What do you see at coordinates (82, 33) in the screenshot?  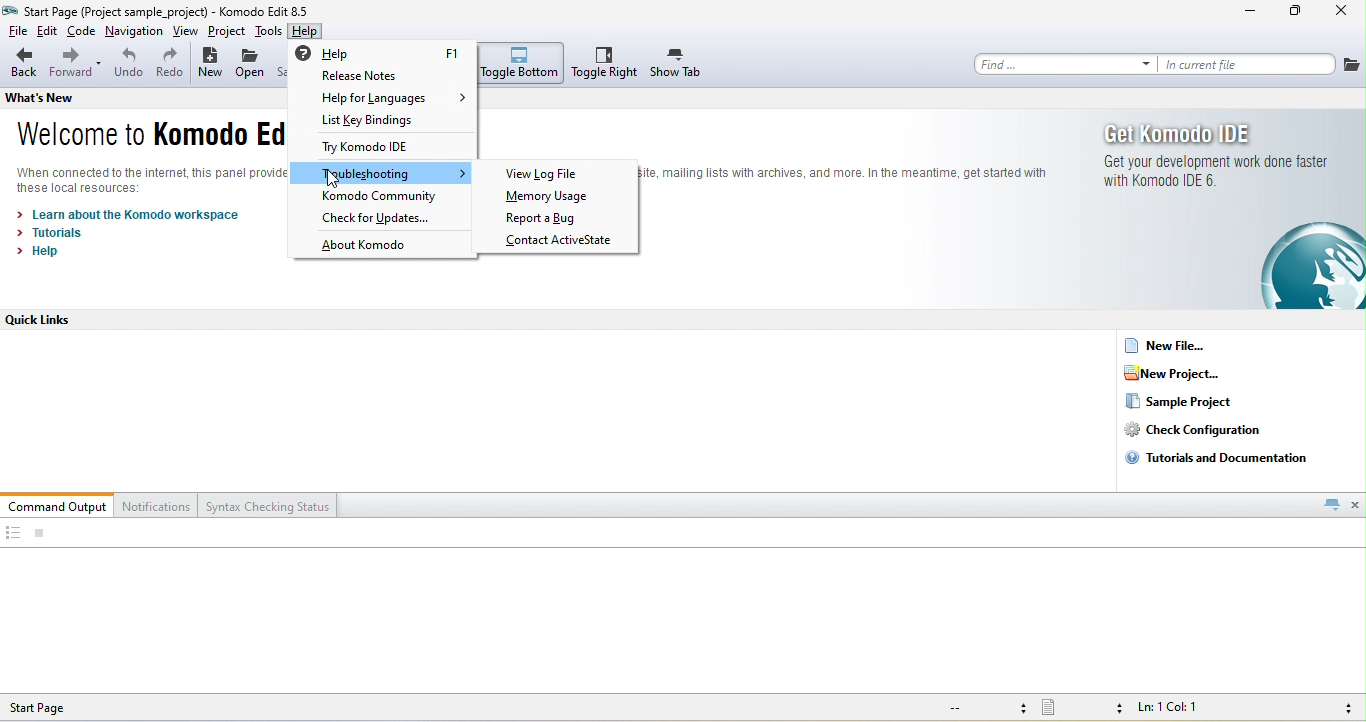 I see `code` at bounding box center [82, 33].